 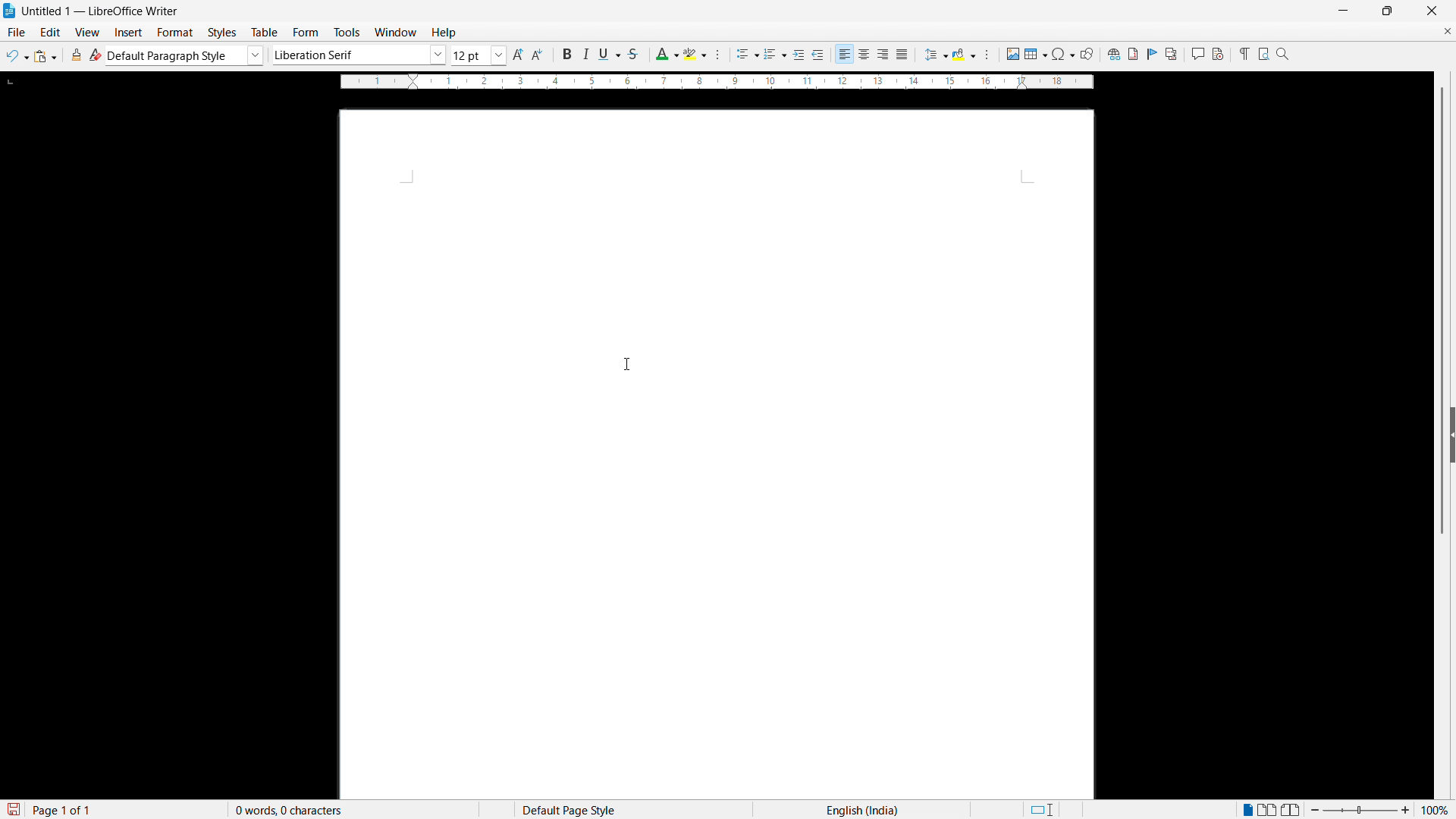 I want to click on italic , so click(x=584, y=55).